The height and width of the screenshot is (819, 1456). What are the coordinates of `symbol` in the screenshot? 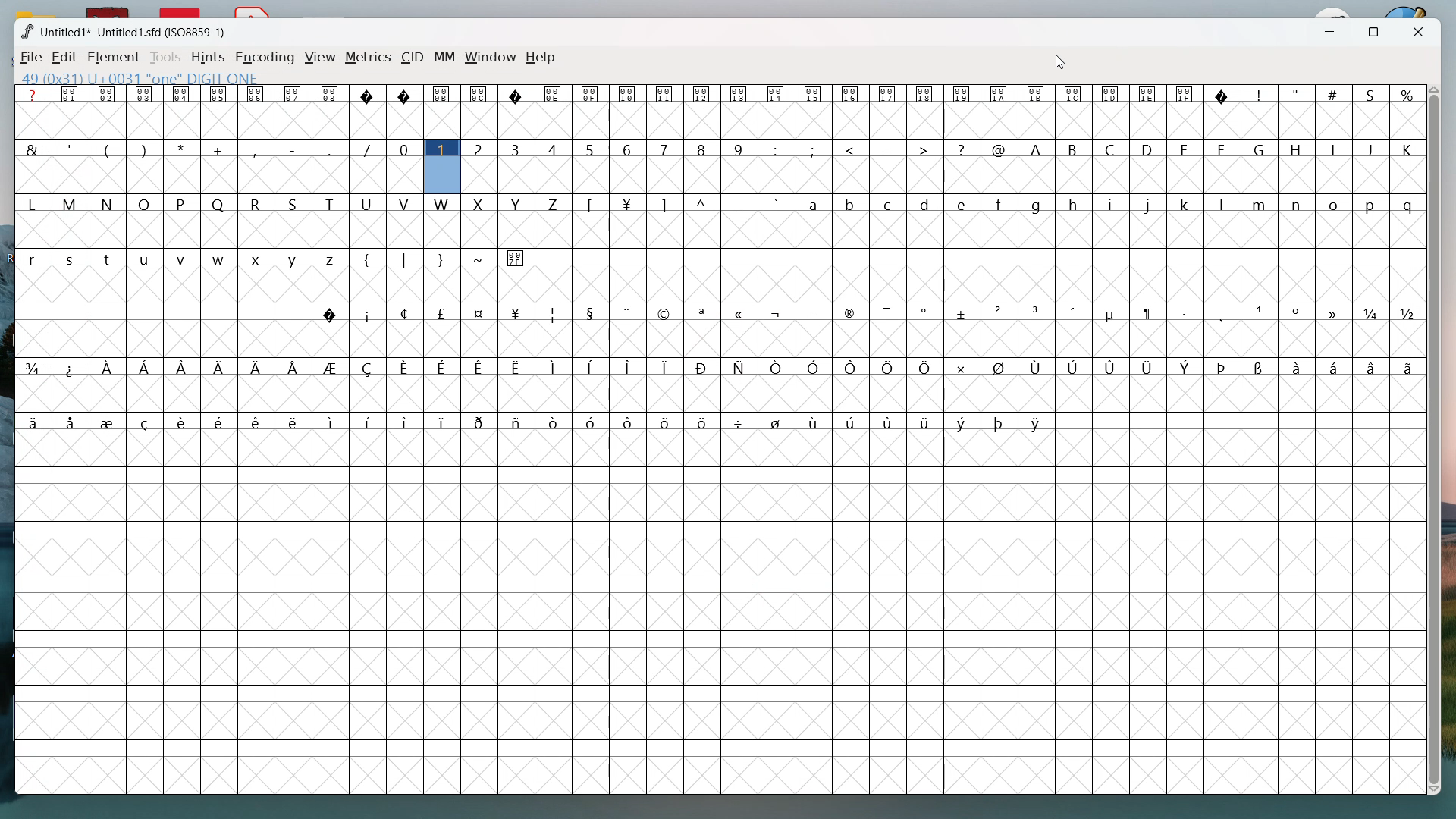 It's located at (1112, 94).